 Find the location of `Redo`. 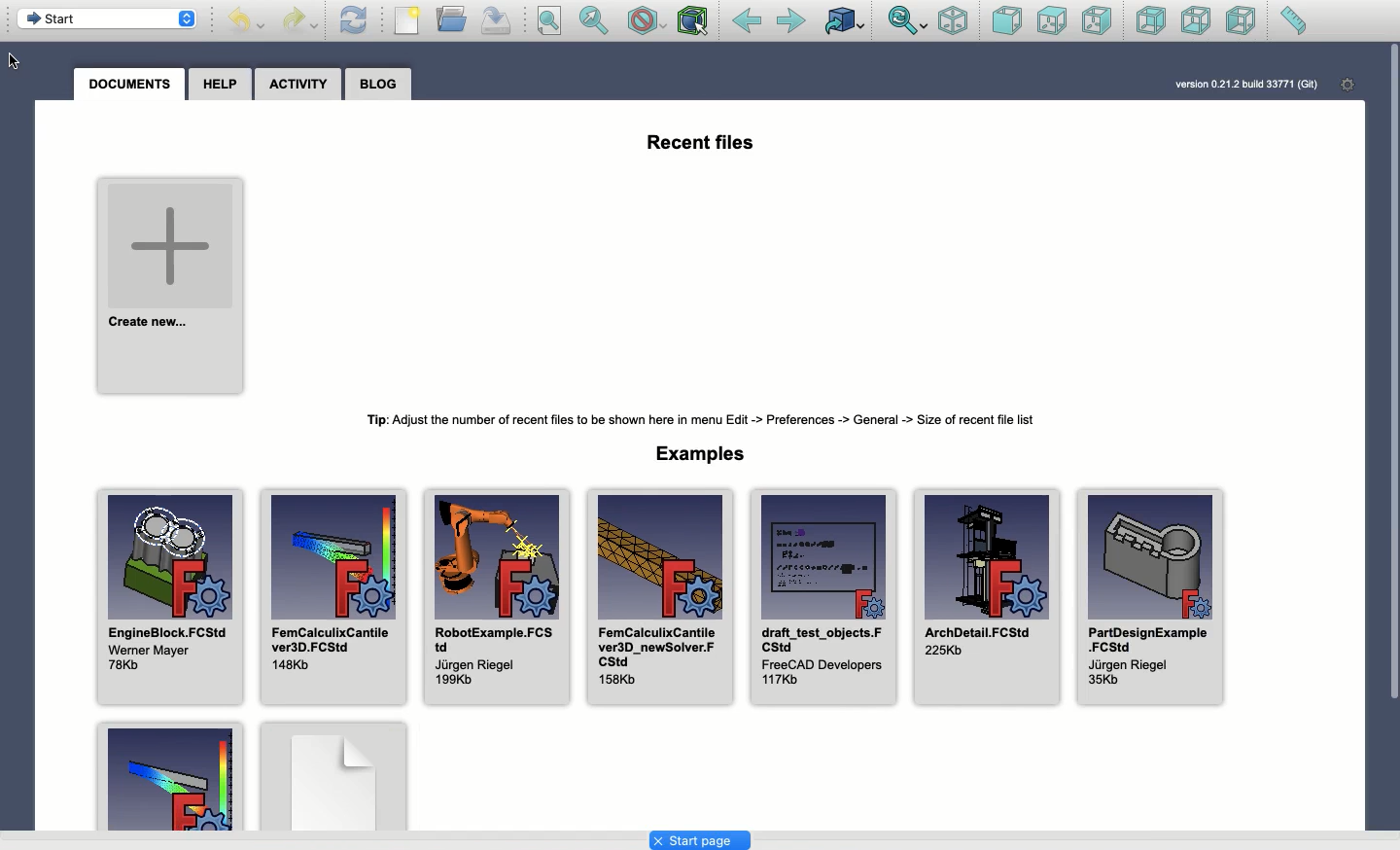

Redo is located at coordinates (300, 18).